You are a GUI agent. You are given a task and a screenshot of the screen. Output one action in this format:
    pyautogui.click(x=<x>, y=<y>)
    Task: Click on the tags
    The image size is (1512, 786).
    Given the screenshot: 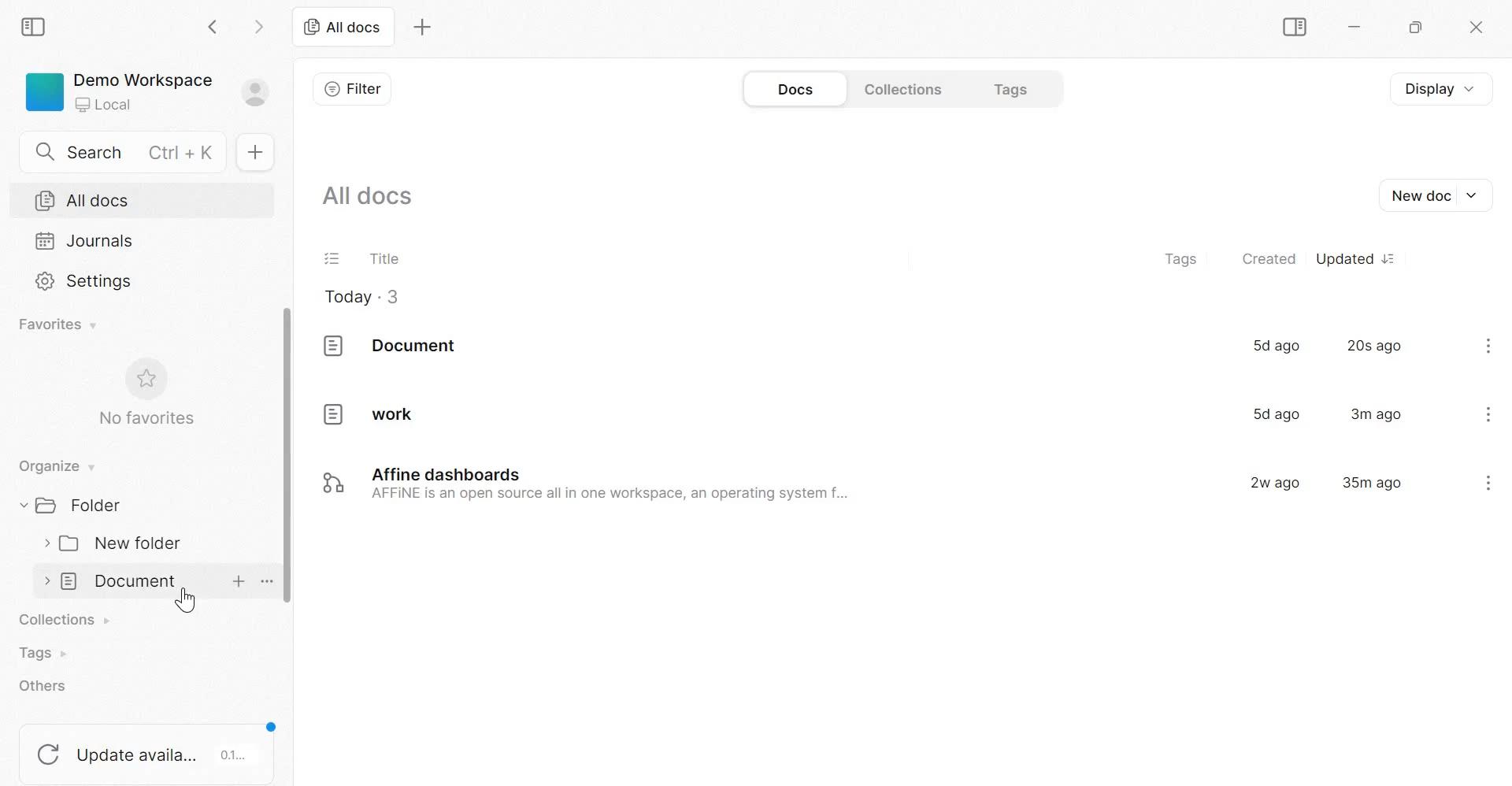 What is the action you would take?
    pyautogui.click(x=1182, y=257)
    